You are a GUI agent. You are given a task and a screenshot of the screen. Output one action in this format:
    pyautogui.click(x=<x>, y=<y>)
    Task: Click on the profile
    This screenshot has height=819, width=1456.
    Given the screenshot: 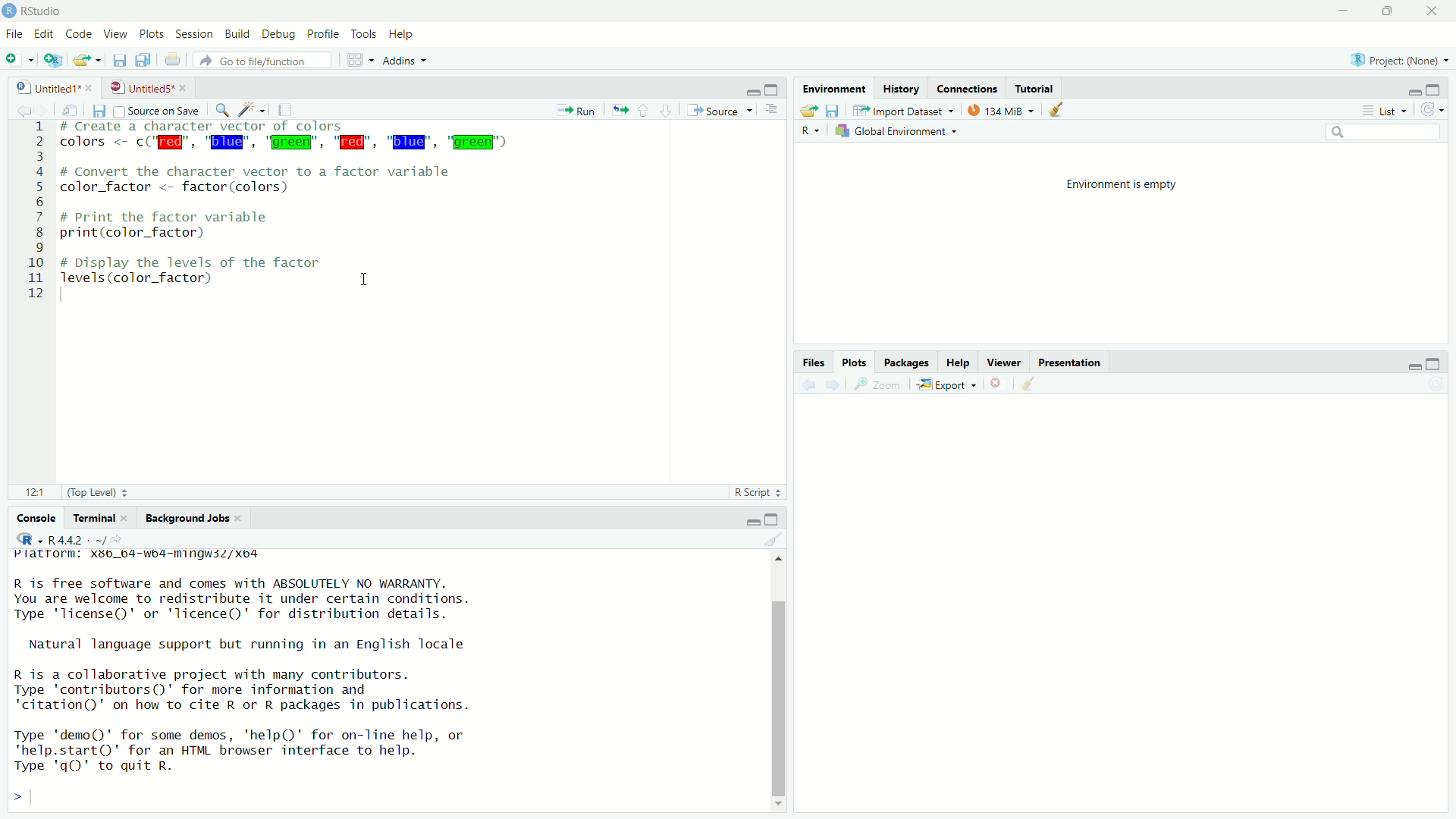 What is the action you would take?
    pyautogui.click(x=322, y=34)
    